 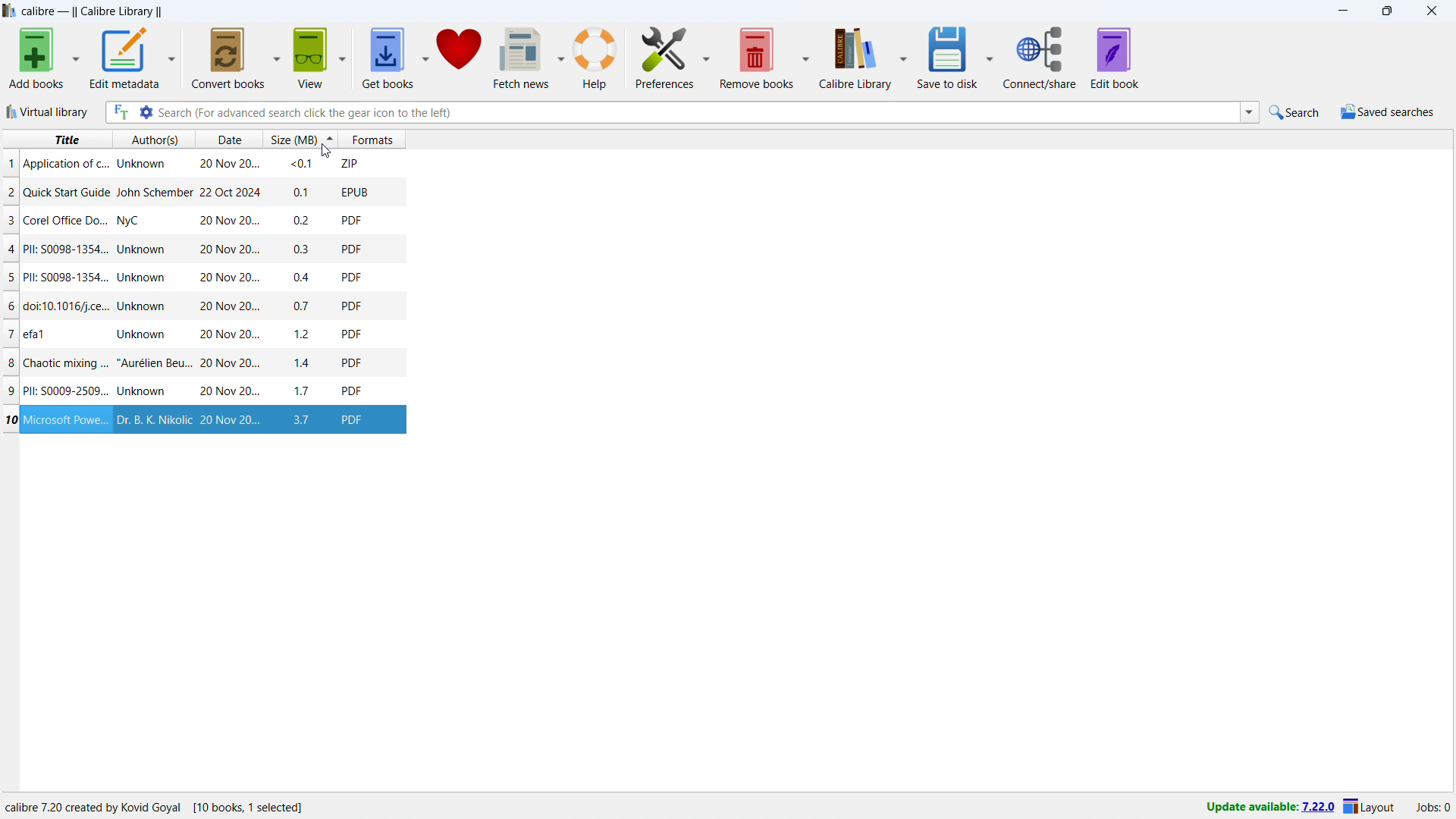 What do you see at coordinates (304, 420) in the screenshot?
I see `size` at bounding box center [304, 420].